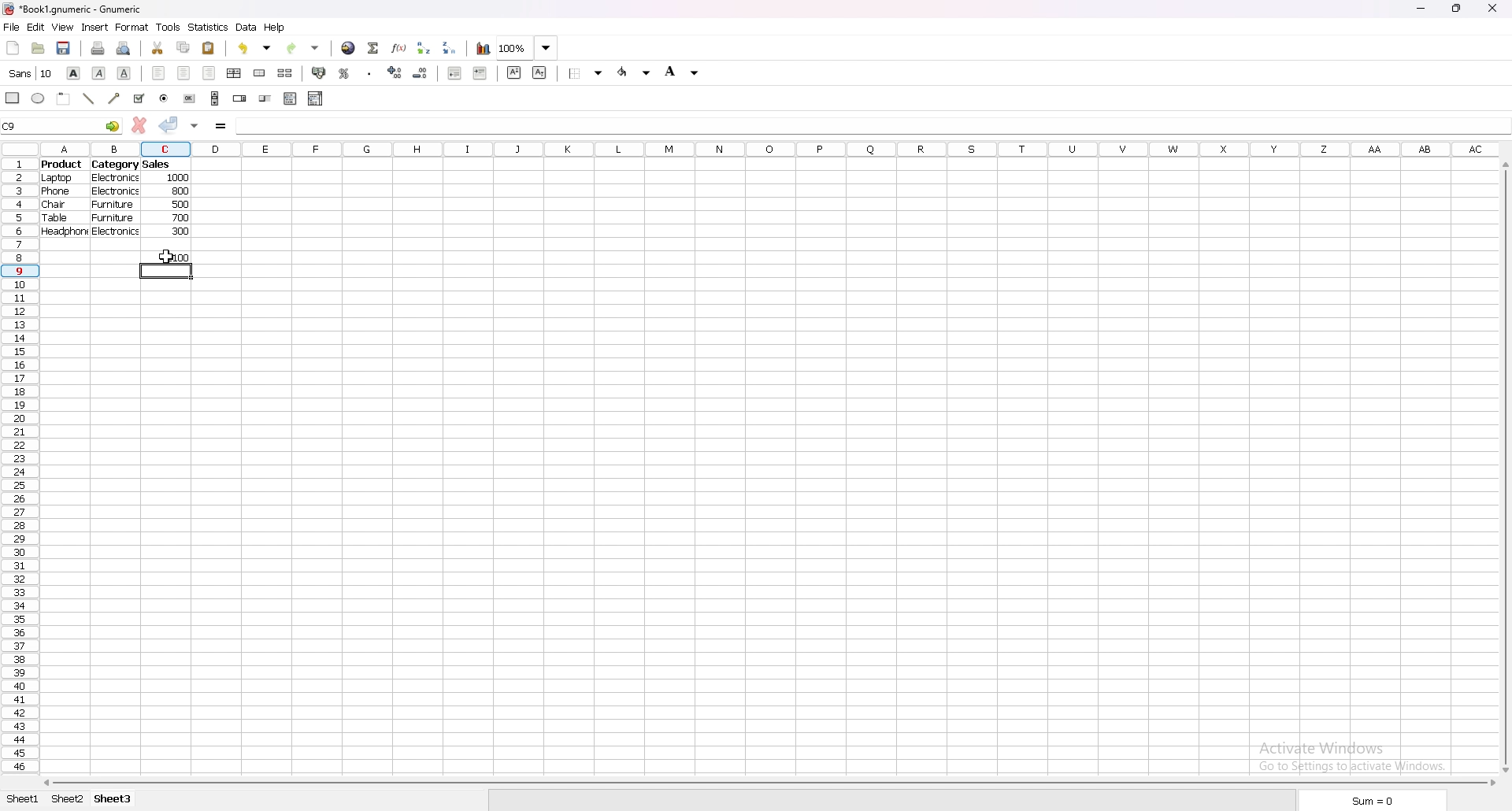  What do you see at coordinates (350, 48) in the screenshot?
I see `hyperlink` at bounding box center [350, 48].